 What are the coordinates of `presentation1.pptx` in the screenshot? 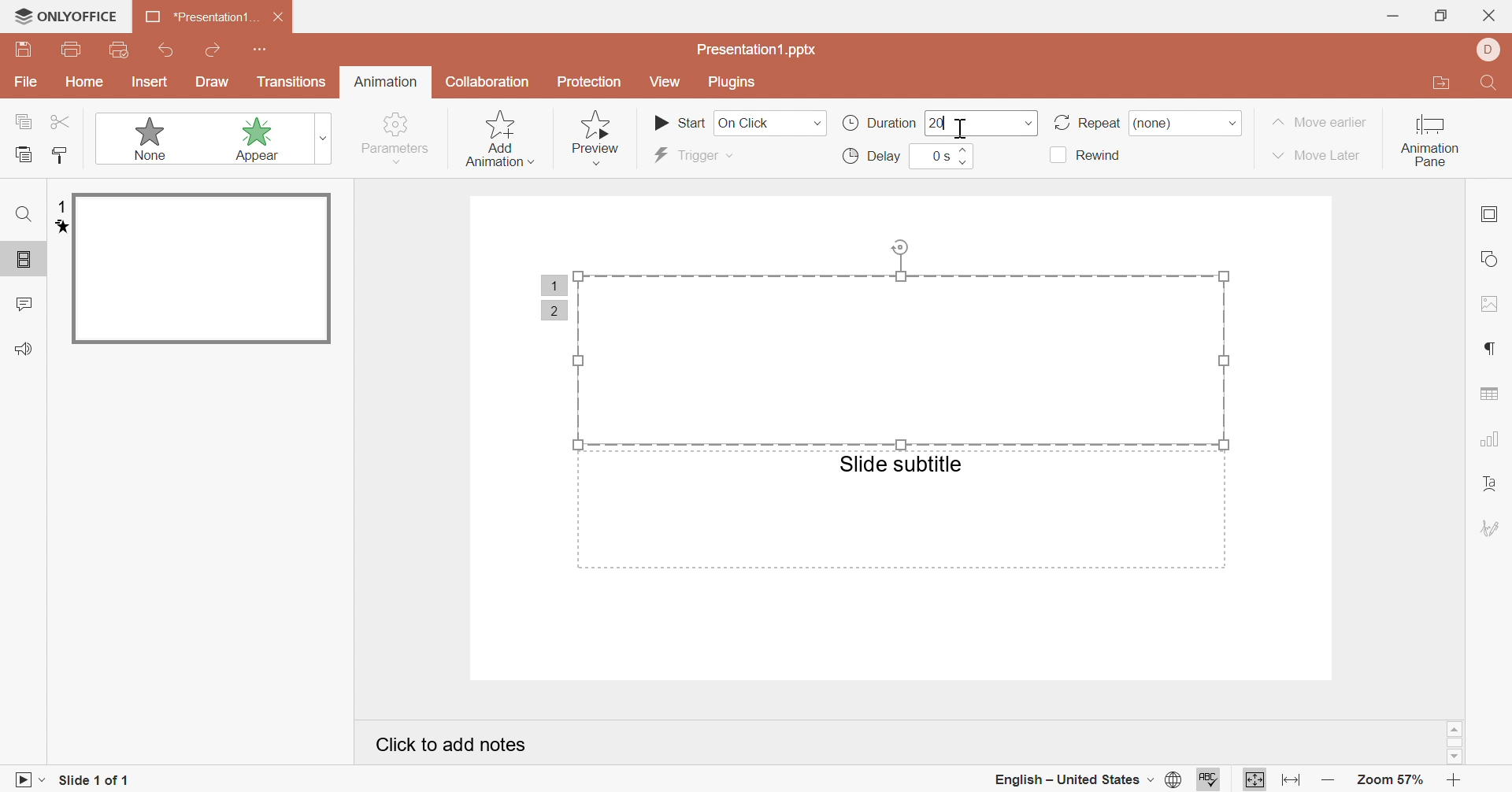 It's located at (759, 50).